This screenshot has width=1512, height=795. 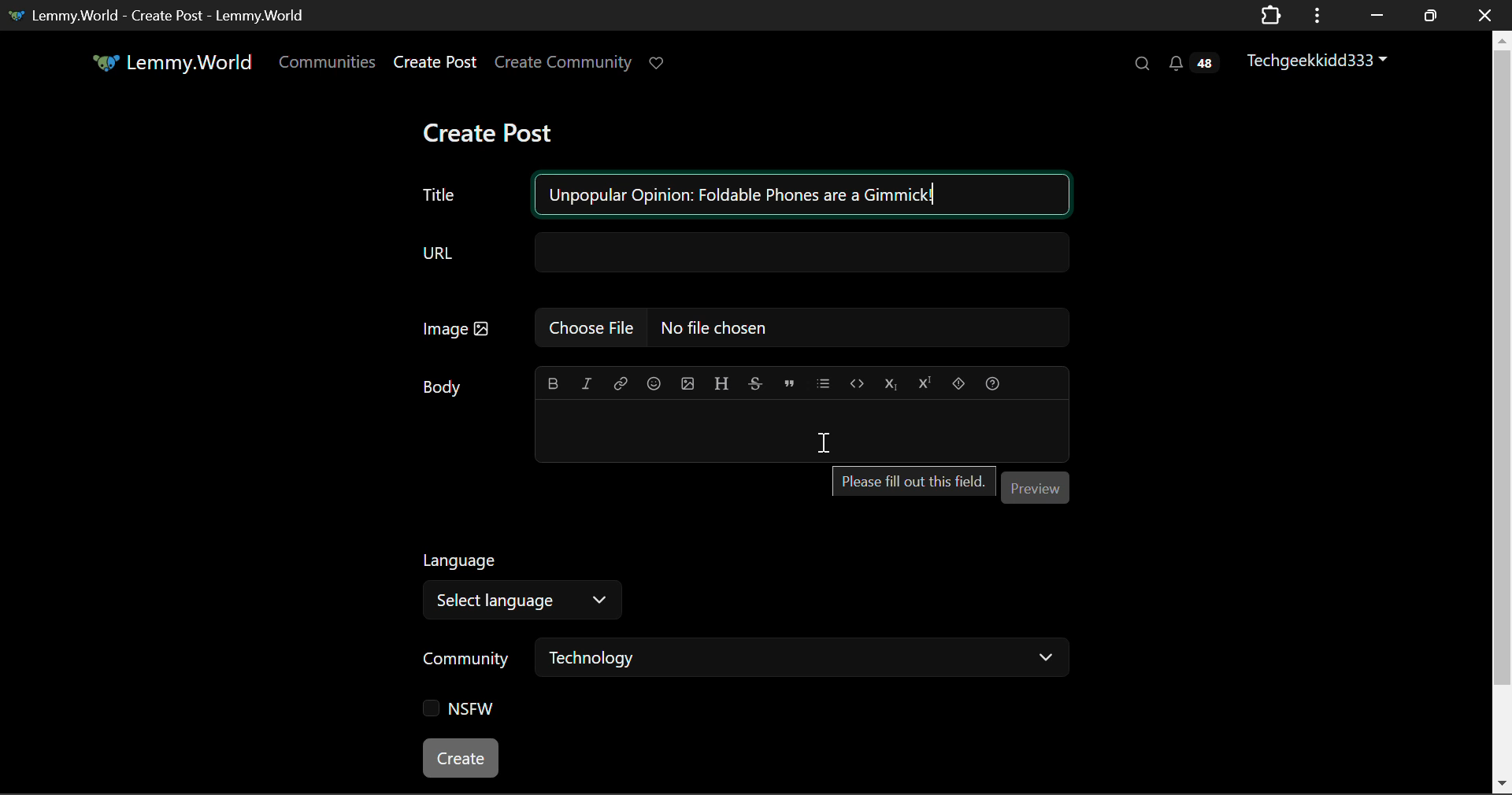 What do you see at coordinates (554, 380) in the screenshot?
I see `bold` at bounding box center [554, 380].